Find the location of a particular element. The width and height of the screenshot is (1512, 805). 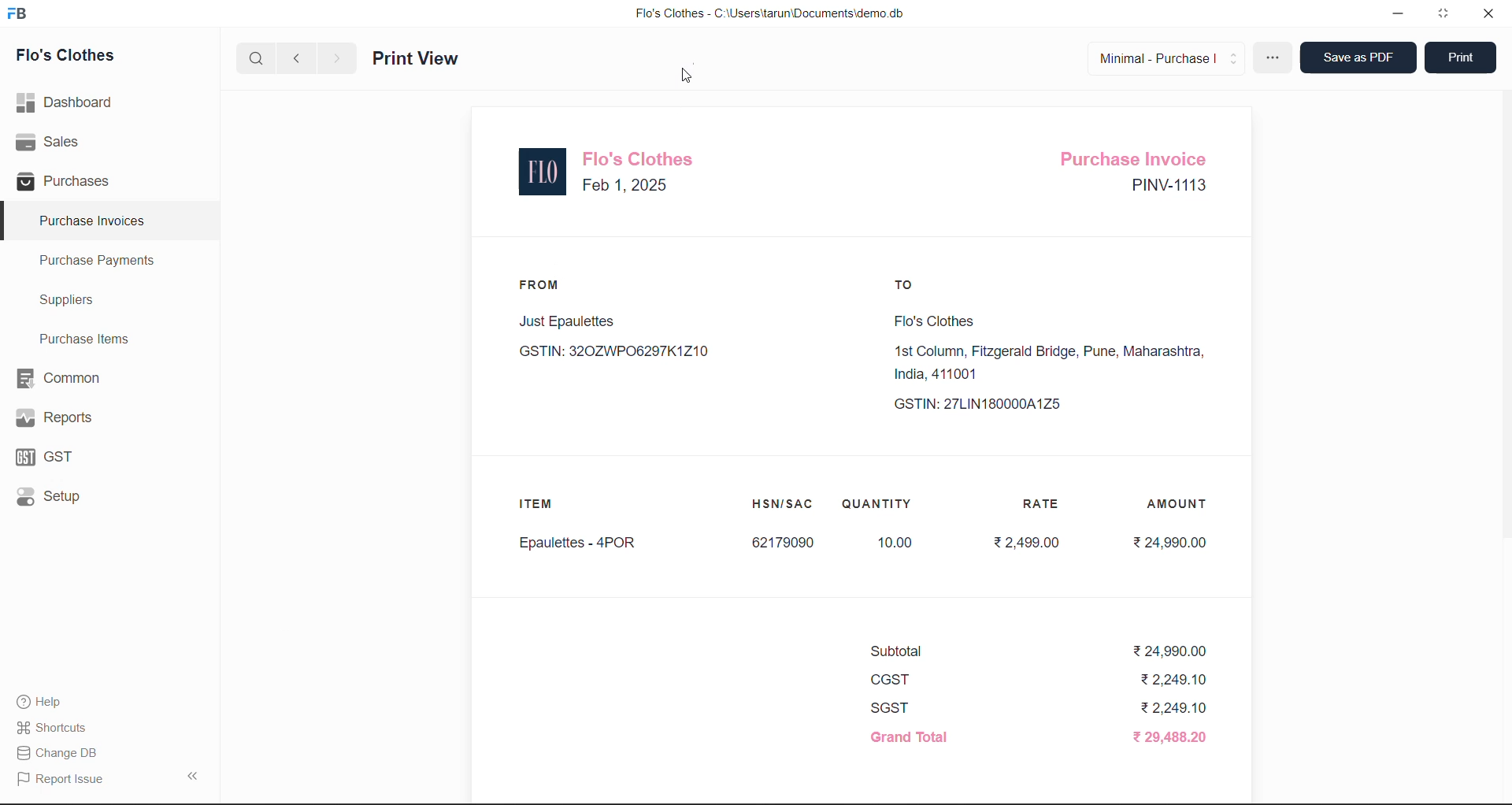

Suppliers is located at coordinates (76, 302).